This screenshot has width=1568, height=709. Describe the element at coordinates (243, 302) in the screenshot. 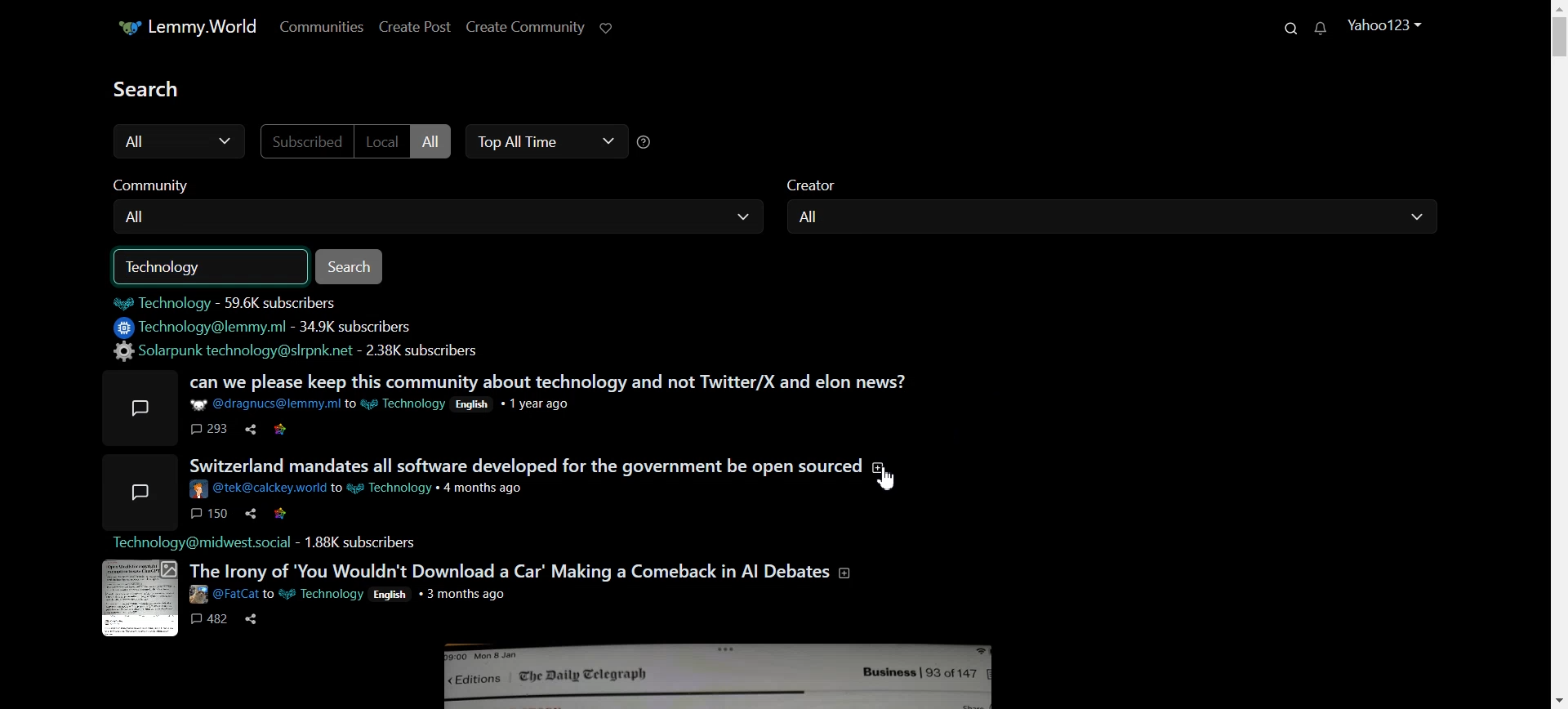

I see ` Technology - 59.6K subscribers` at that location.